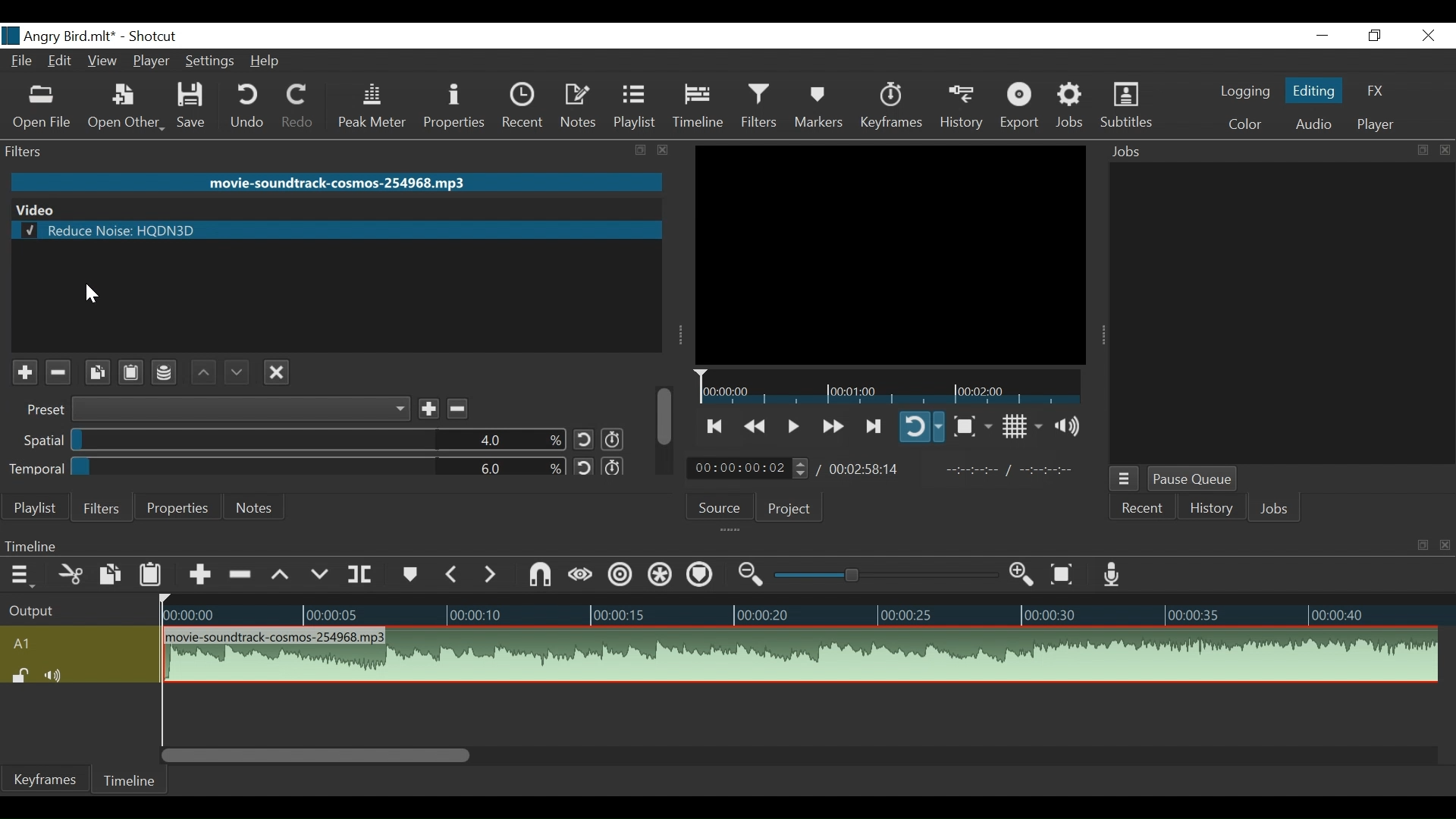 The height and width of the screenshot is (819, 1456). Describe the element at coordinates (194, 108) in the screenshot. I see `Save` at that location.